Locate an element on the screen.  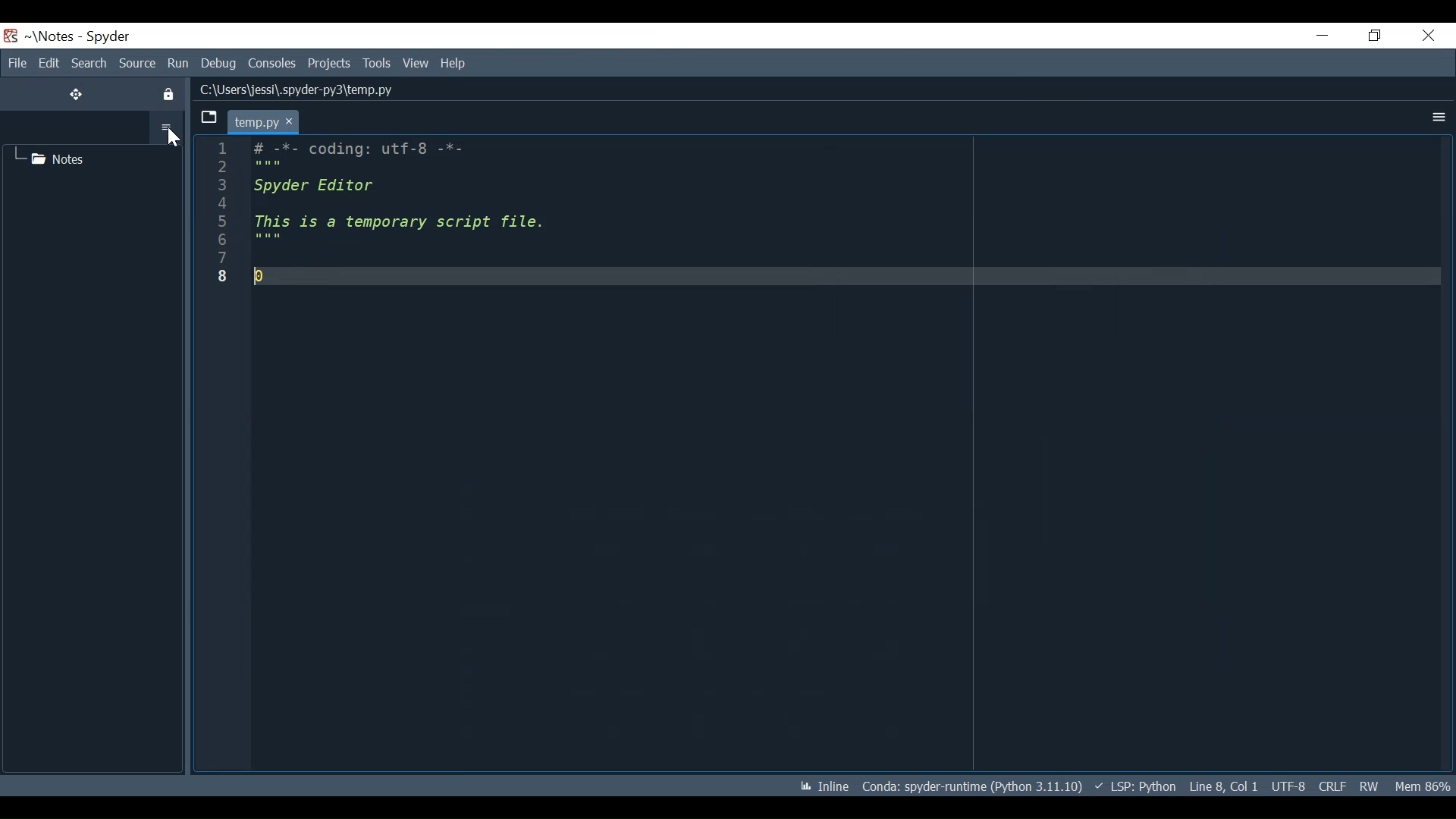
Minimize is located at coordinates (1323, 34).